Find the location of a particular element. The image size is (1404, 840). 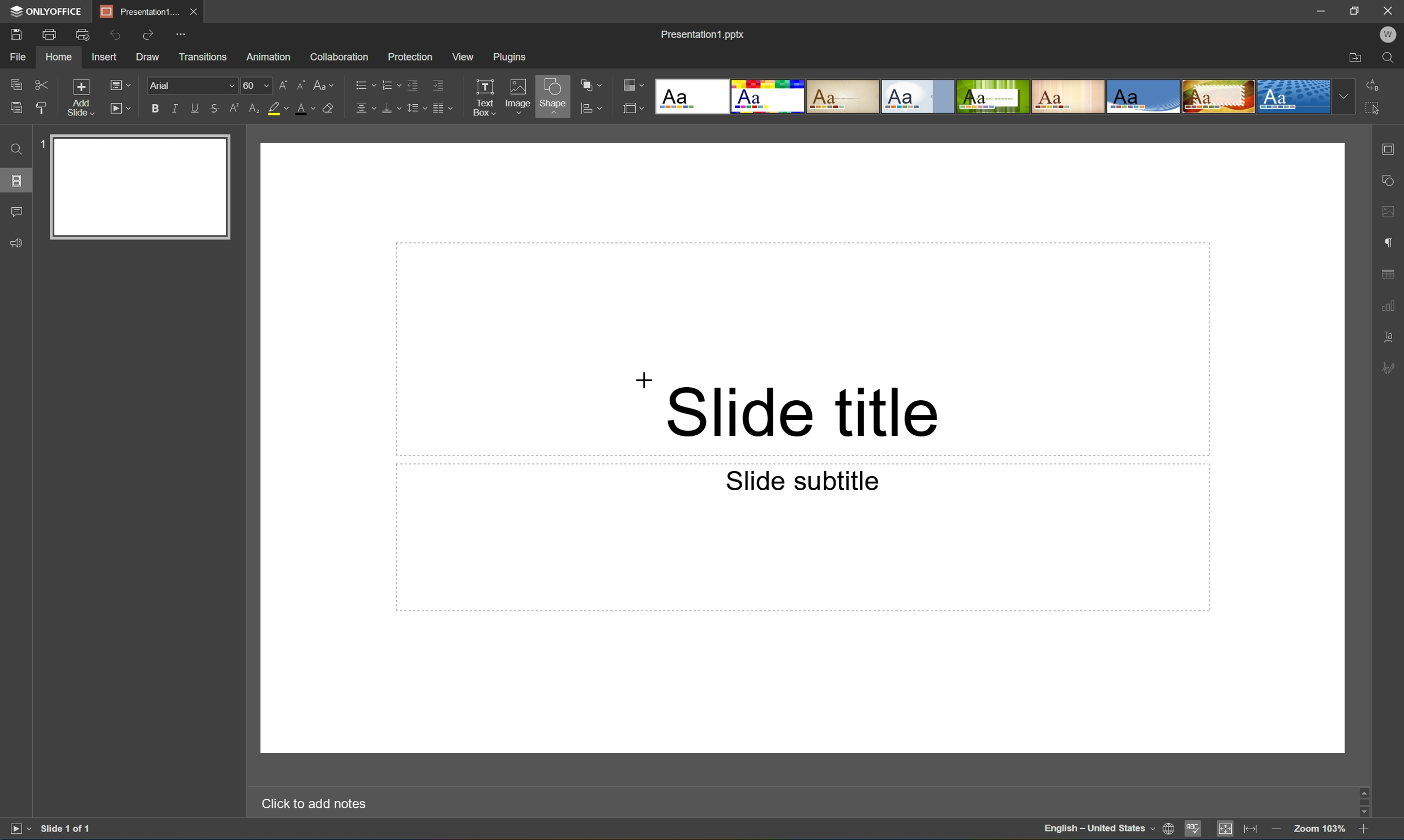

slide title is located at coordinates (804, 408).